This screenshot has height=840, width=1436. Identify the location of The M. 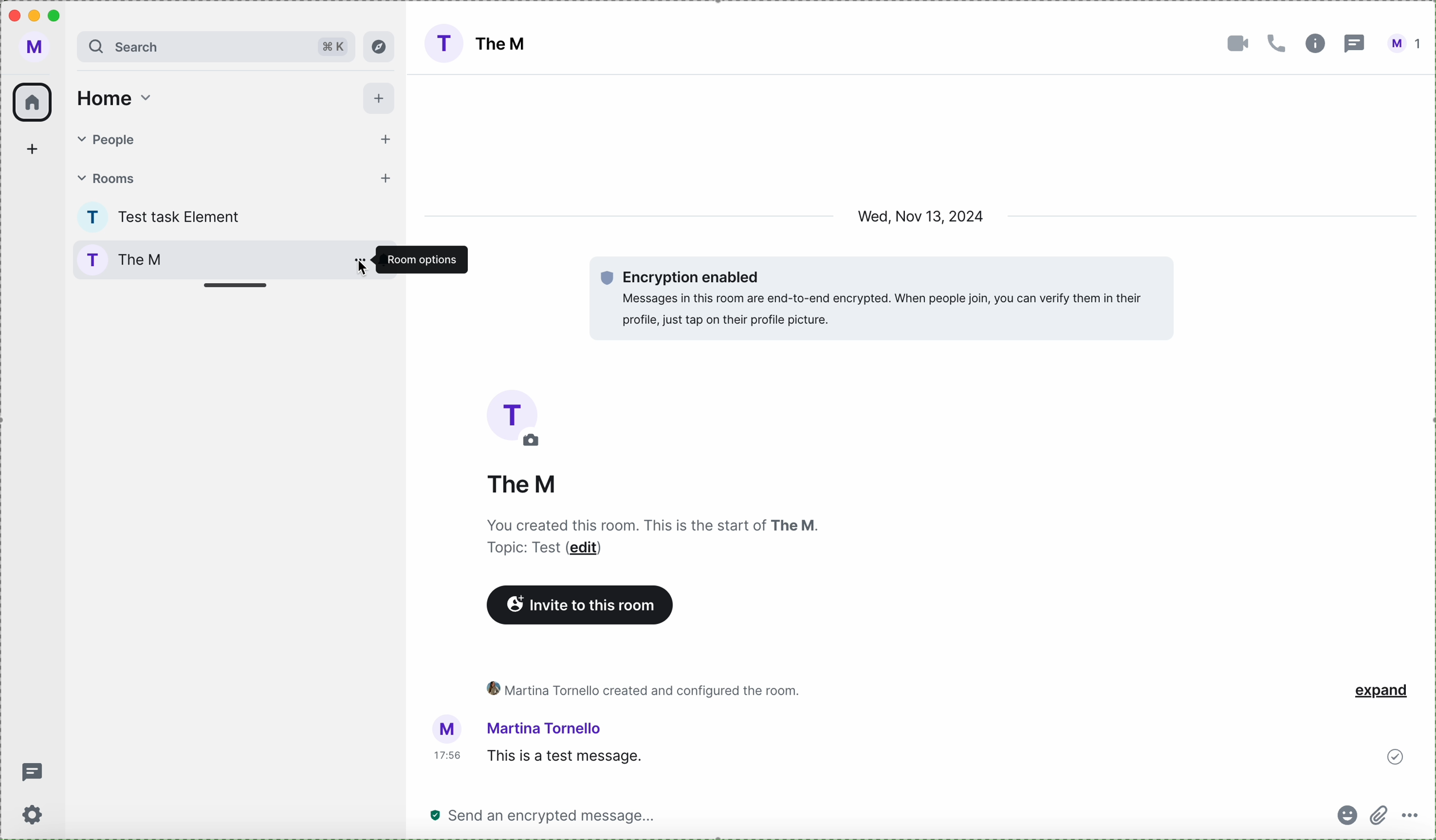
(503, 44).